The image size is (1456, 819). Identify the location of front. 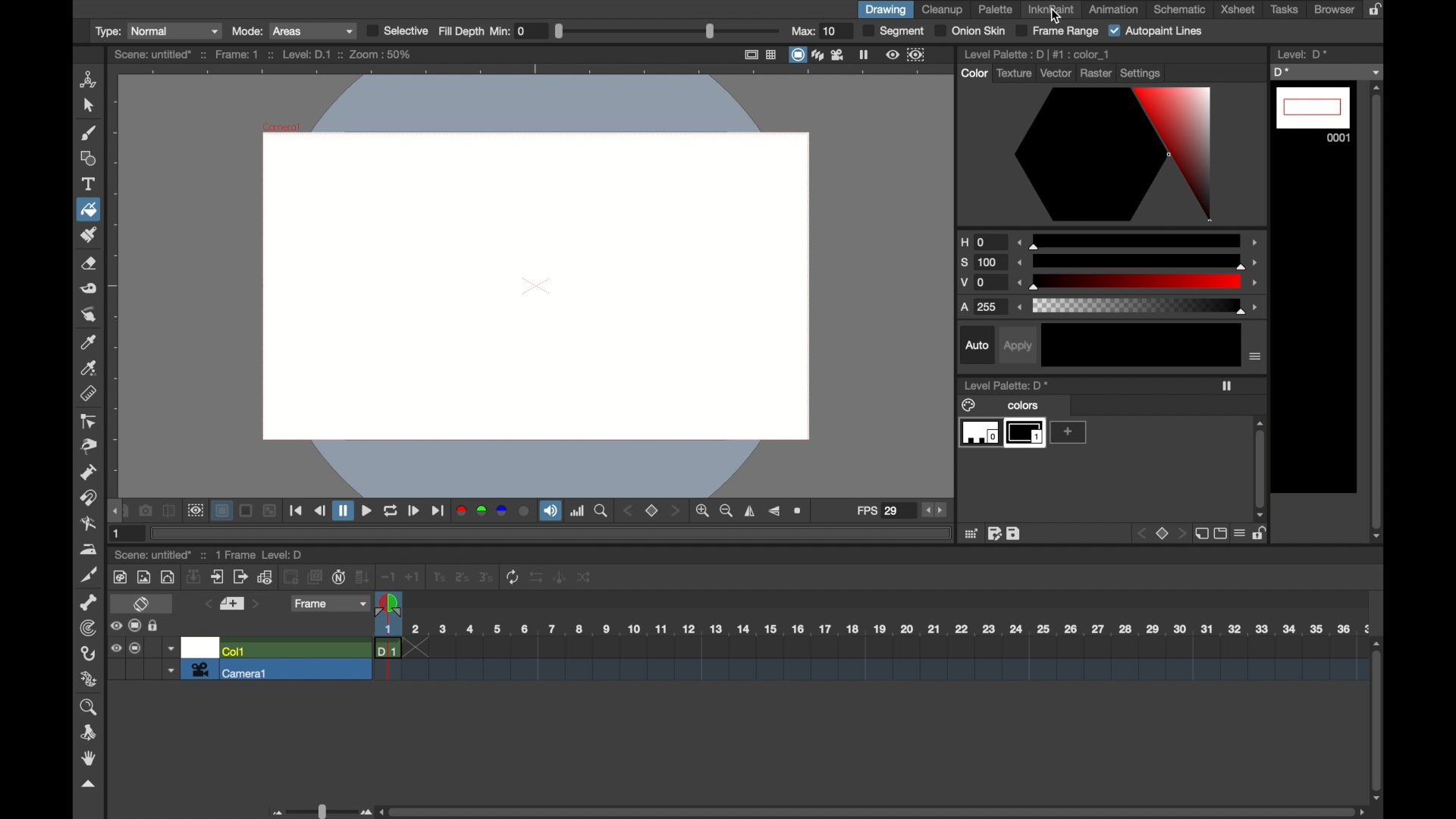
(677, 511).